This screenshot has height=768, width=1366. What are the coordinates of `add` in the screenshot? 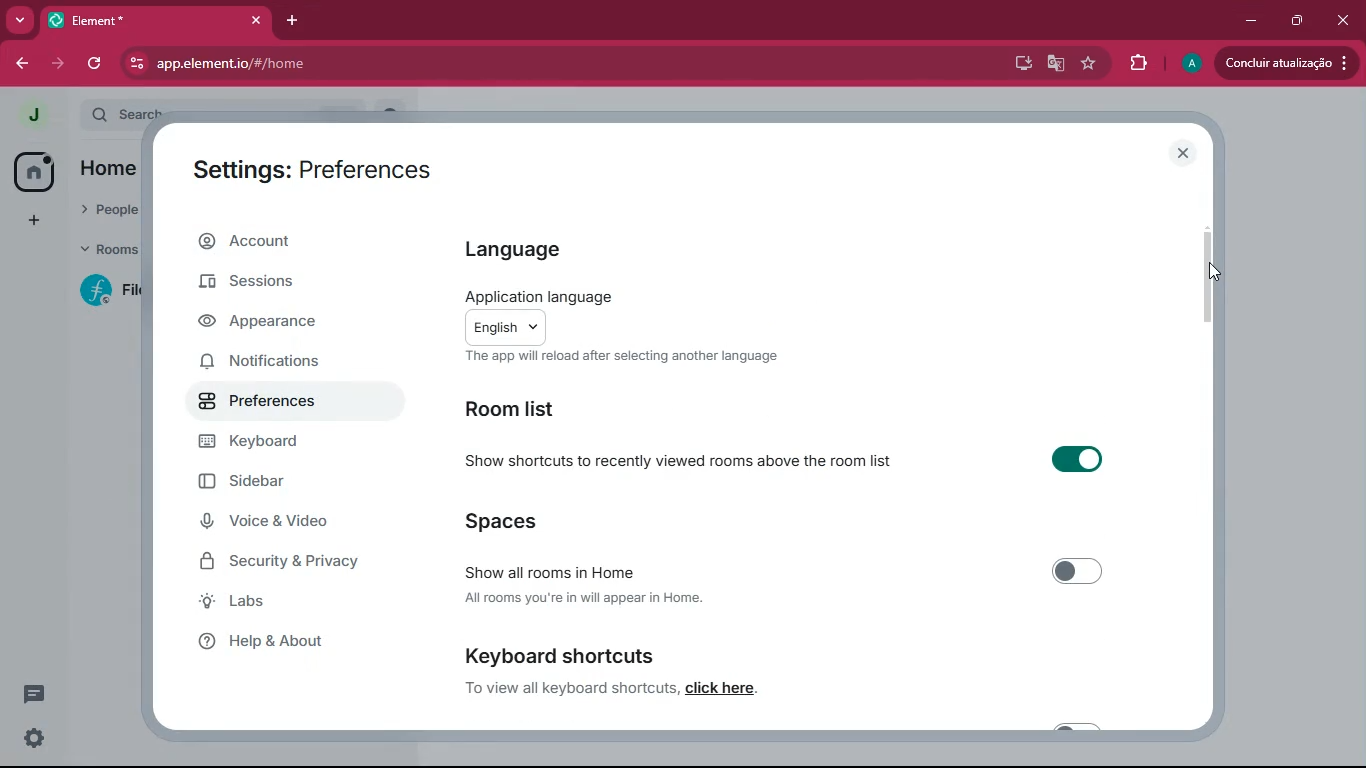 It's located at (35, 219).